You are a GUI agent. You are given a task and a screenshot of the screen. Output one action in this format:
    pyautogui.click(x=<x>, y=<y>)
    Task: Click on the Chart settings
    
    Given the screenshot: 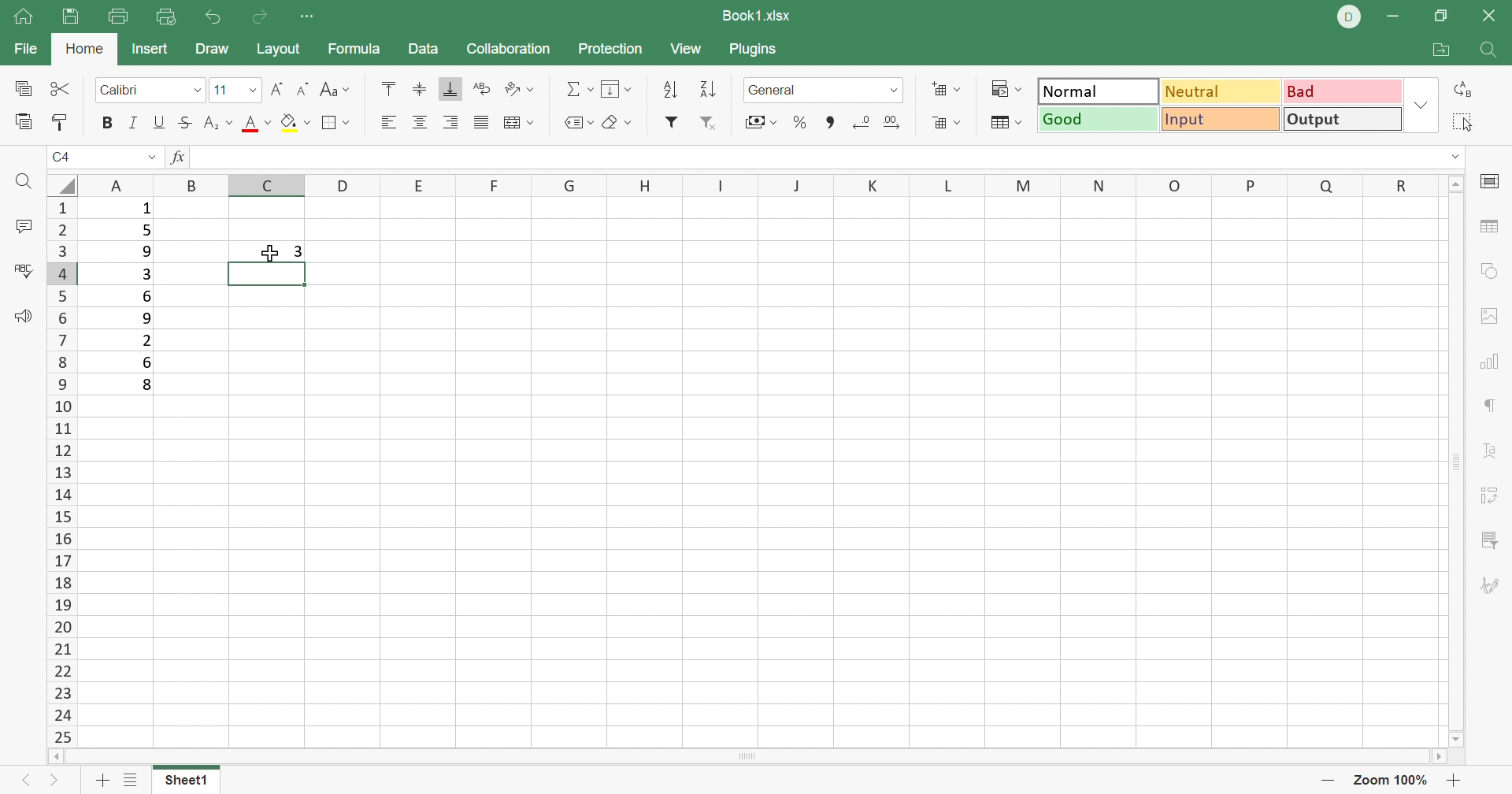 What is the action you would take?
    pyautogui.click(x=1489, y=363)
    